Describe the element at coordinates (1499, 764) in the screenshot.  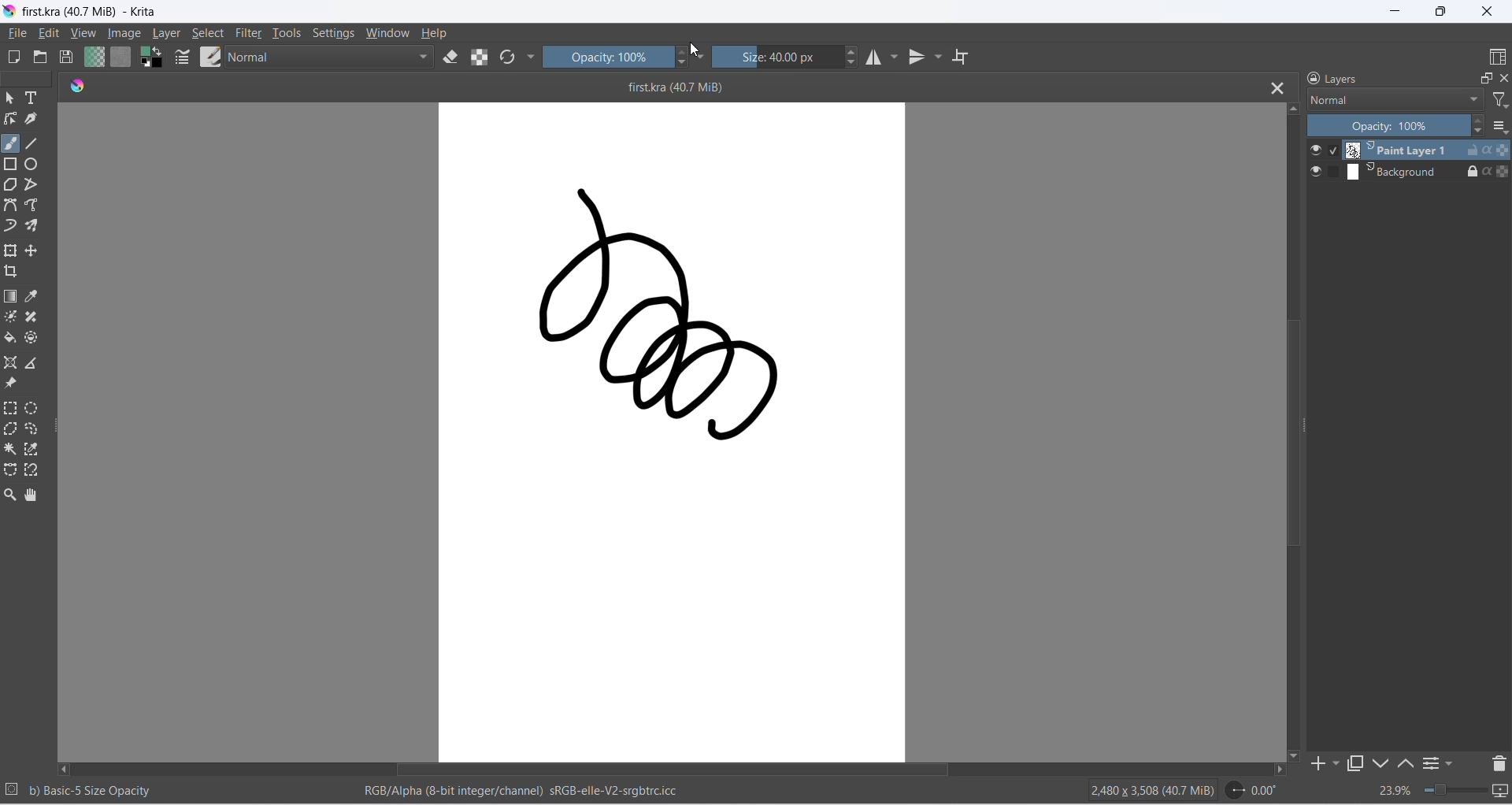
I see `delete layer` at that location.